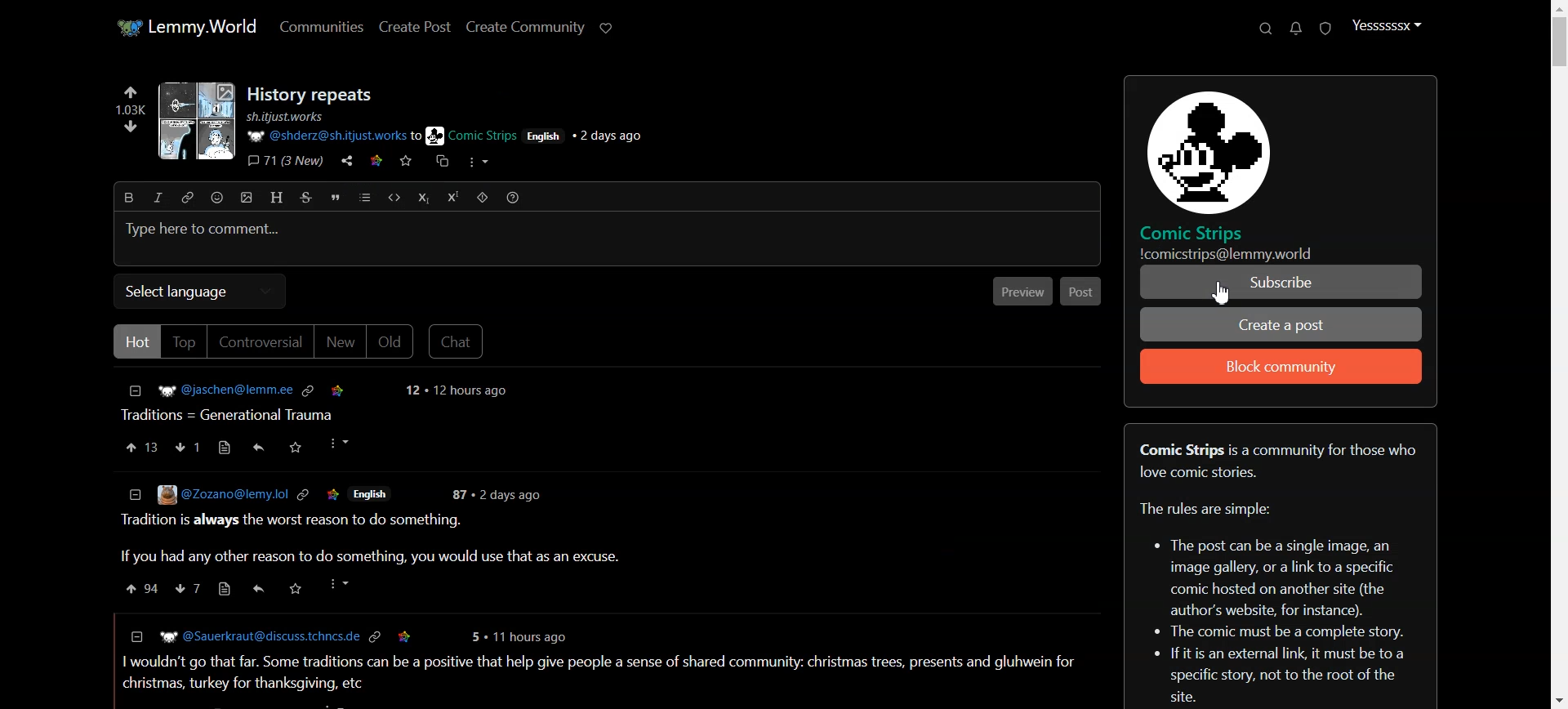  I want to click on Spoiler, so click(483, 197).